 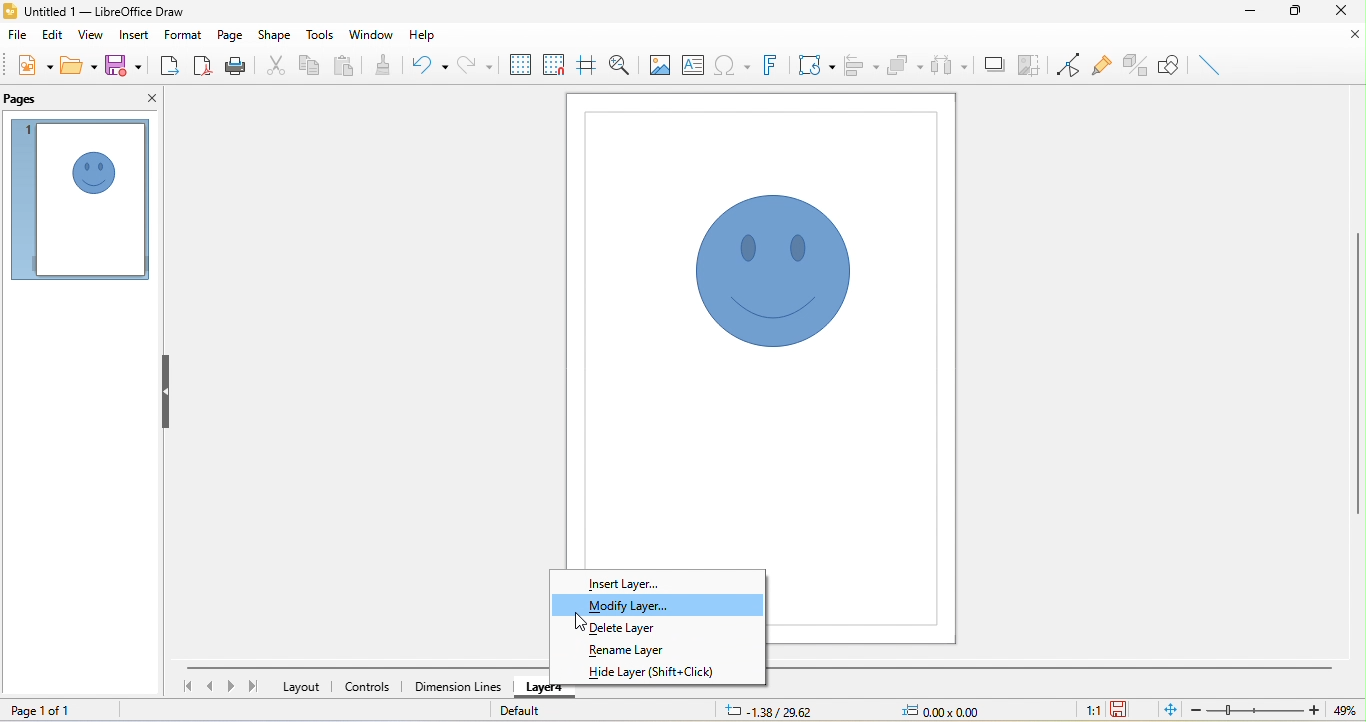 What do you see at coordinates (251, 685) in the screenshot?
I see `last page` at bounding box center [251, 685].